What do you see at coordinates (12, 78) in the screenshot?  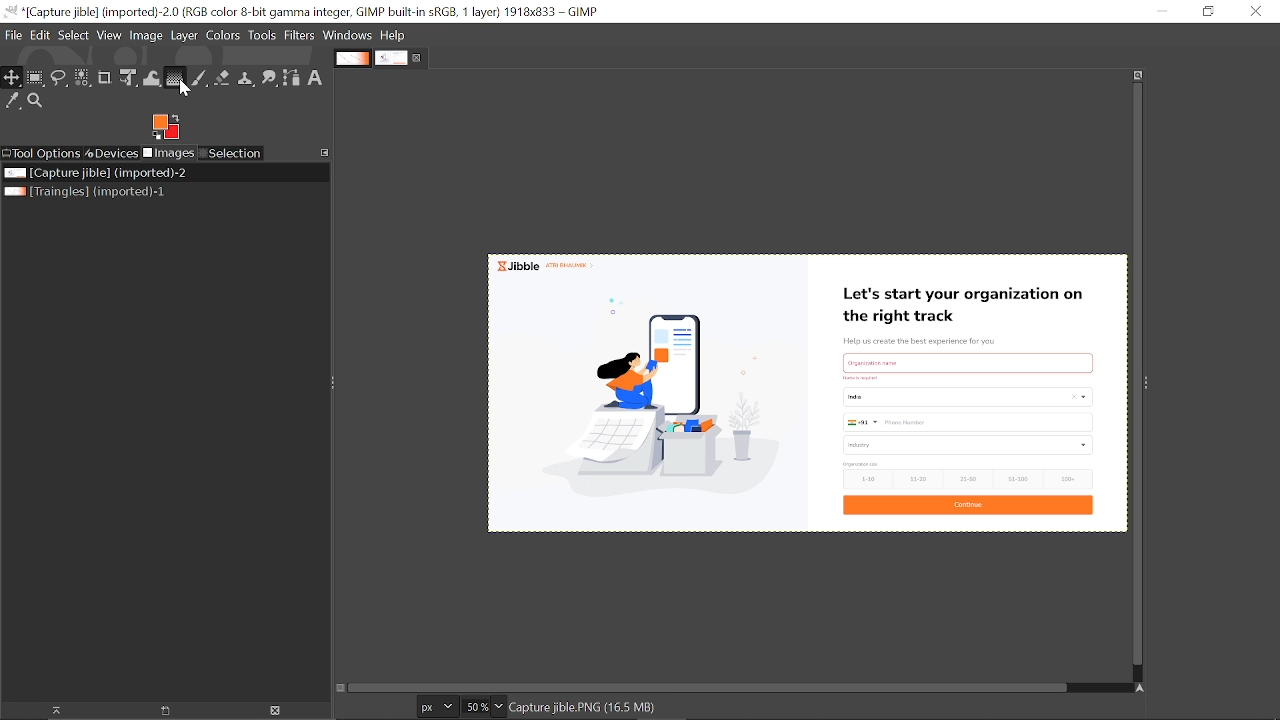 I see `Move tool` at bounding box center [12, 78].